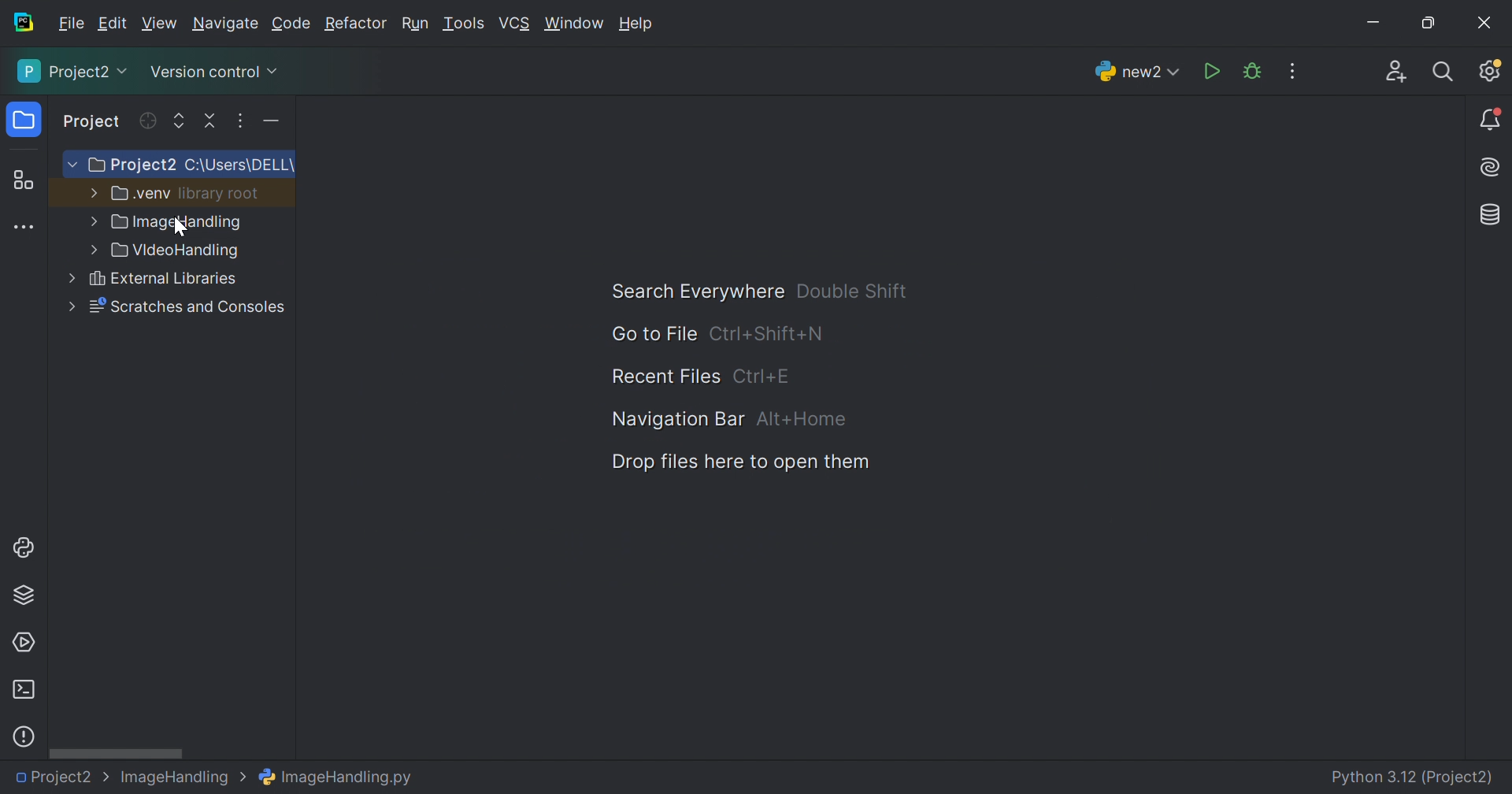  I want to click on Double Shift, so click(851, 291).